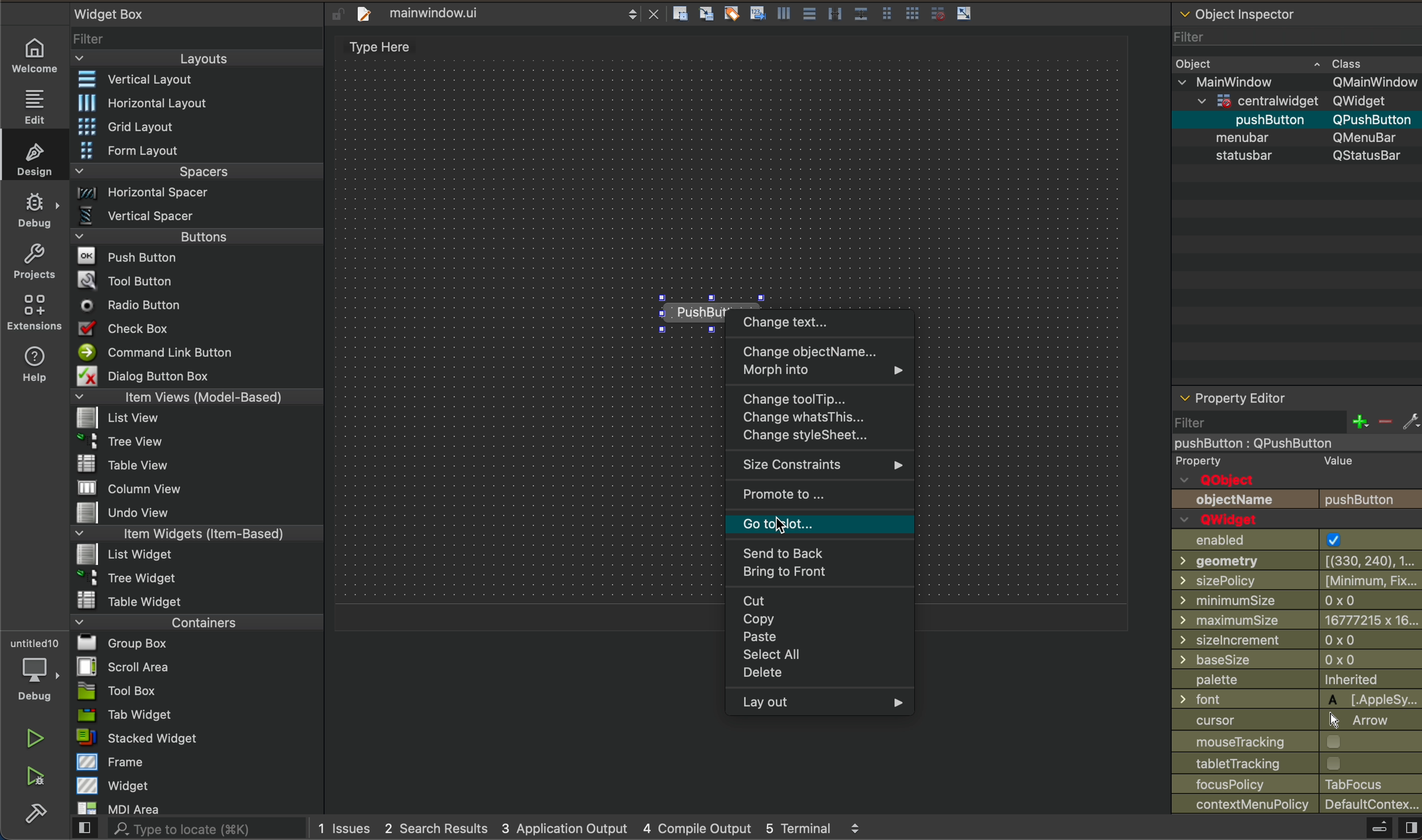 Image resolution: width=1422 pixels, height=840 pixels. What do you see at coordinates (819, 528) in the screenshot?
I see `go to slot` at bounding box center [819, 528].